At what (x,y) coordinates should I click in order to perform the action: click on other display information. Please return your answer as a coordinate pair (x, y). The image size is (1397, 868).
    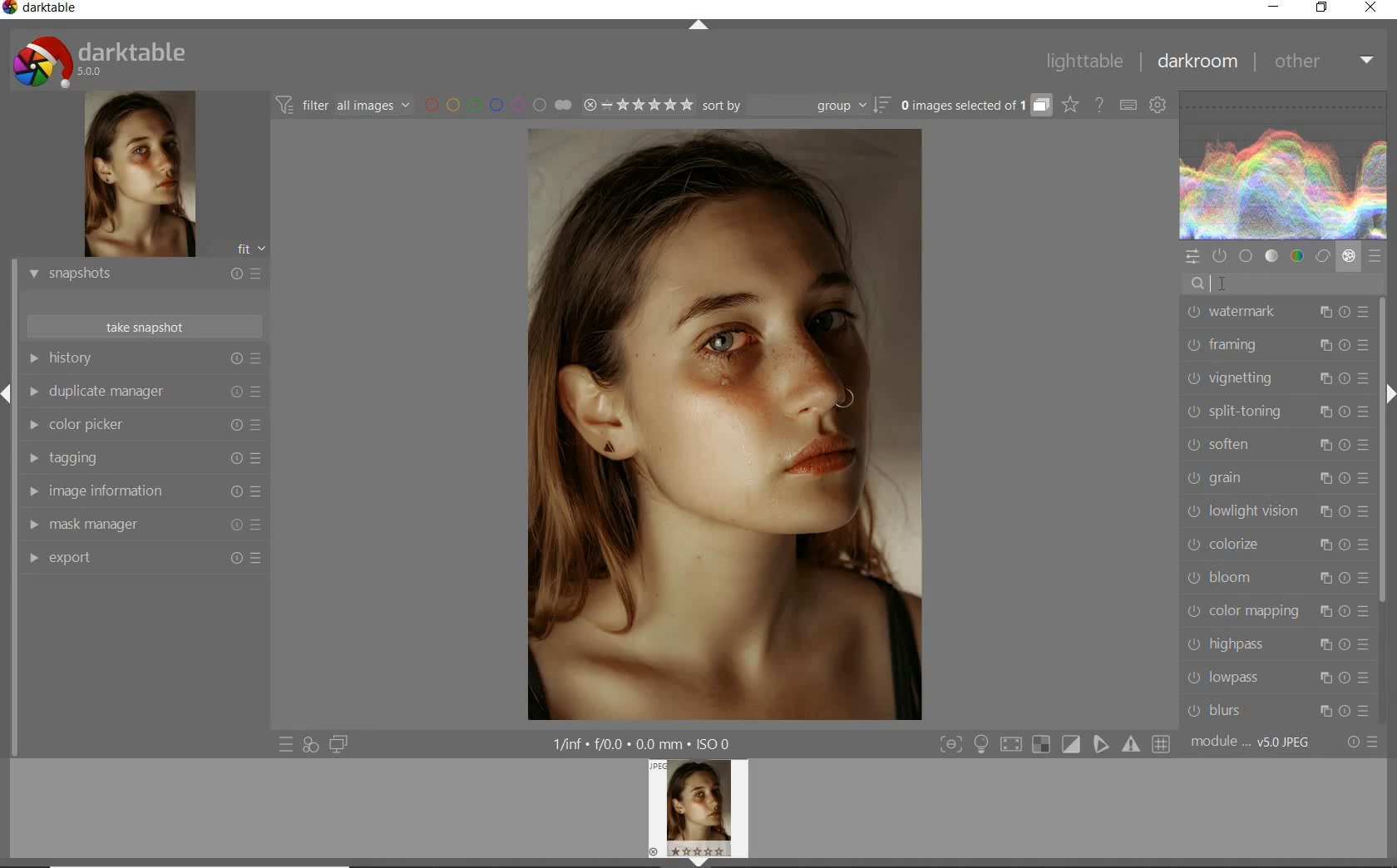
    Looking at the image, I should click on (644, 743).